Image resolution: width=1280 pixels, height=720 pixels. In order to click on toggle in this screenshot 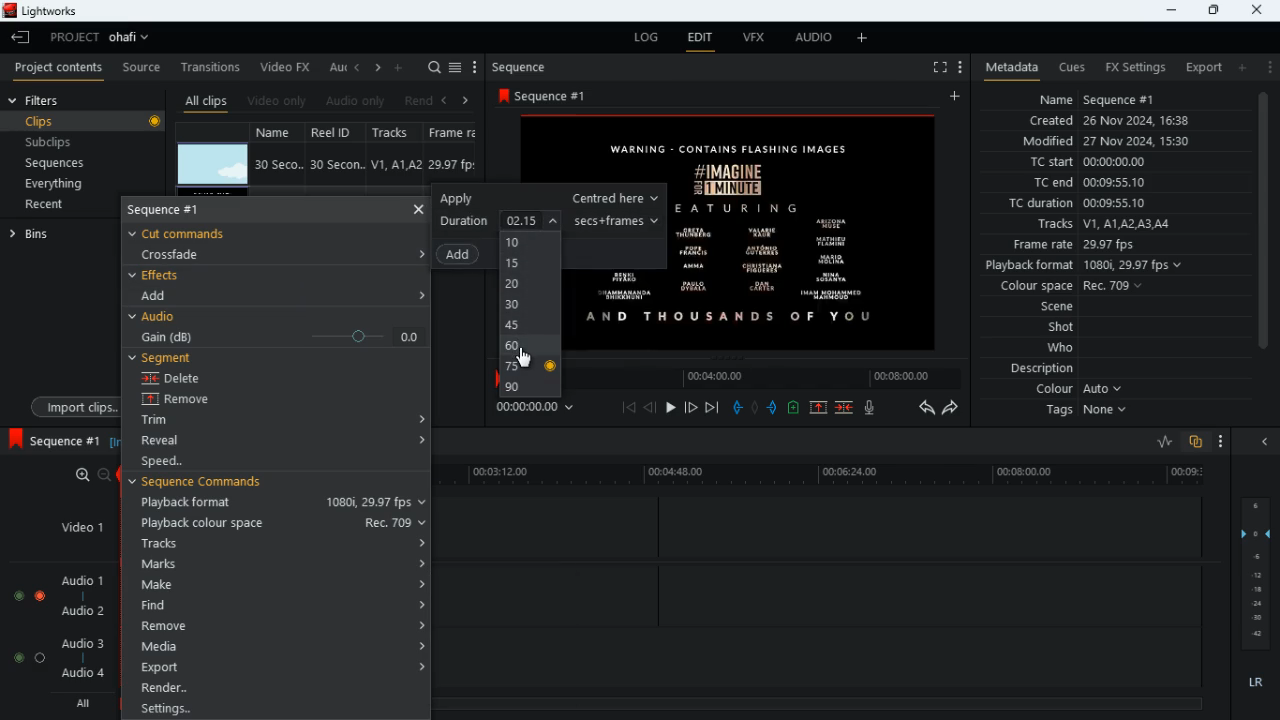, I will do `click(14, 657)`.